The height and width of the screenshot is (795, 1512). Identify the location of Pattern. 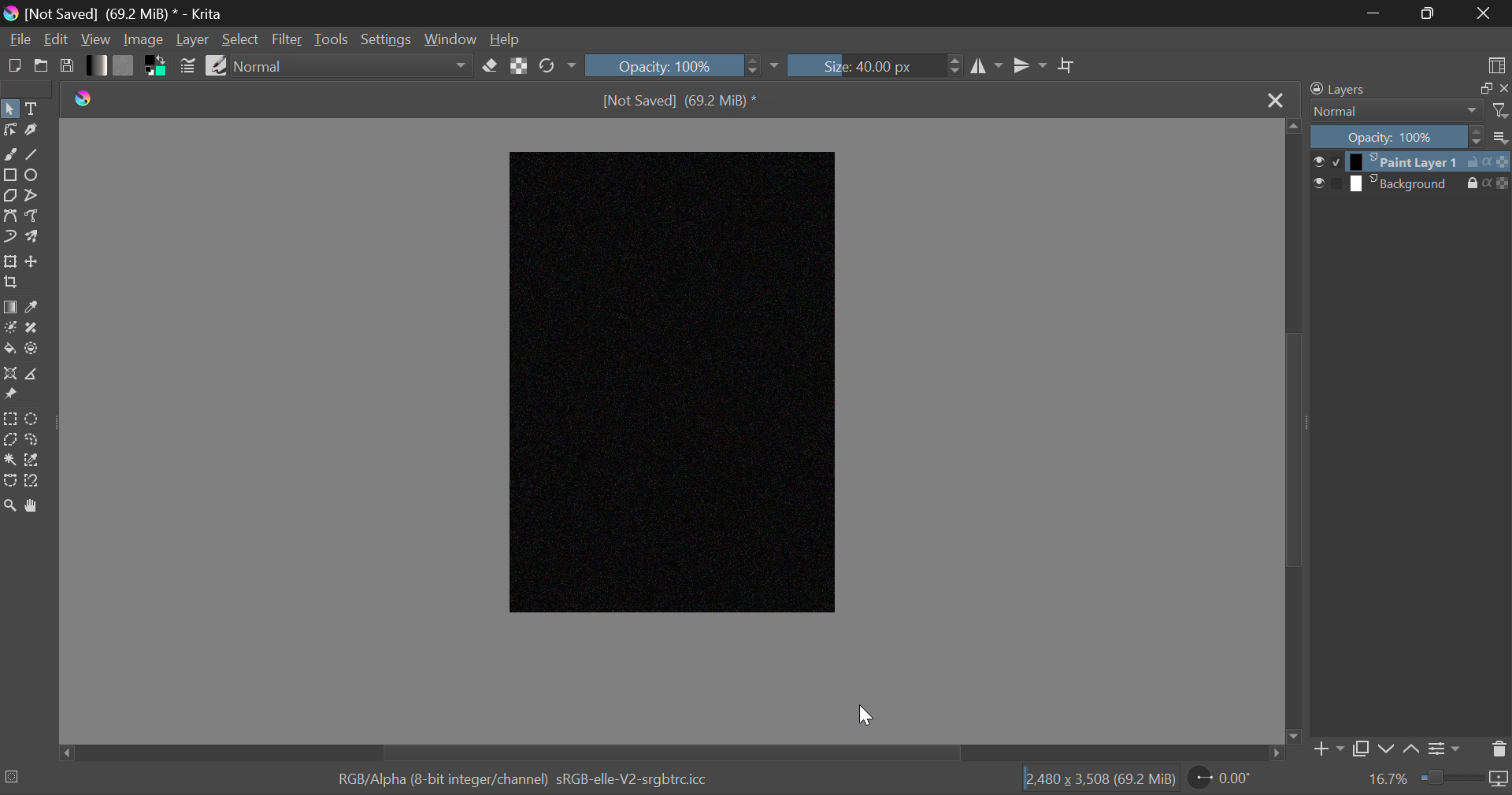
(126, 65).